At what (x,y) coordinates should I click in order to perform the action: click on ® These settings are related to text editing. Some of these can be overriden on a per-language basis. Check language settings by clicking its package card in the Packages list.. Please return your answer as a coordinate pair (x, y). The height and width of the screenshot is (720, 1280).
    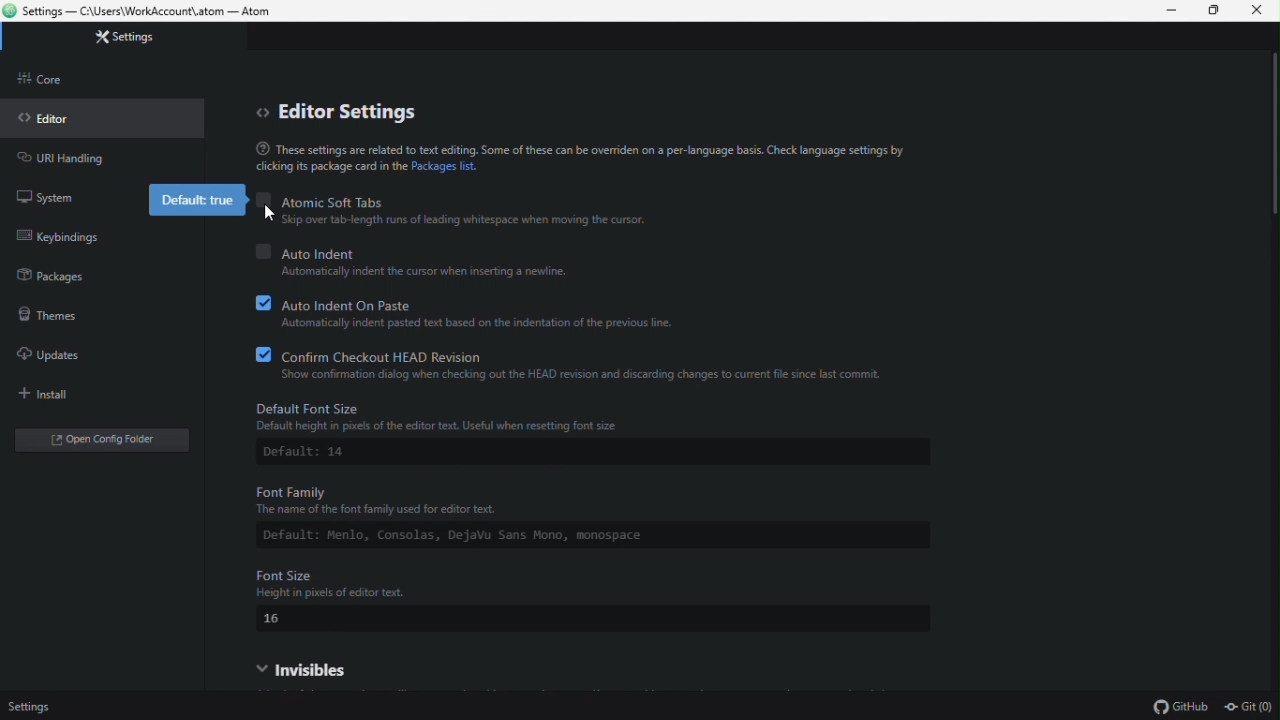
    Looking at the image, I should click on (574, 155).